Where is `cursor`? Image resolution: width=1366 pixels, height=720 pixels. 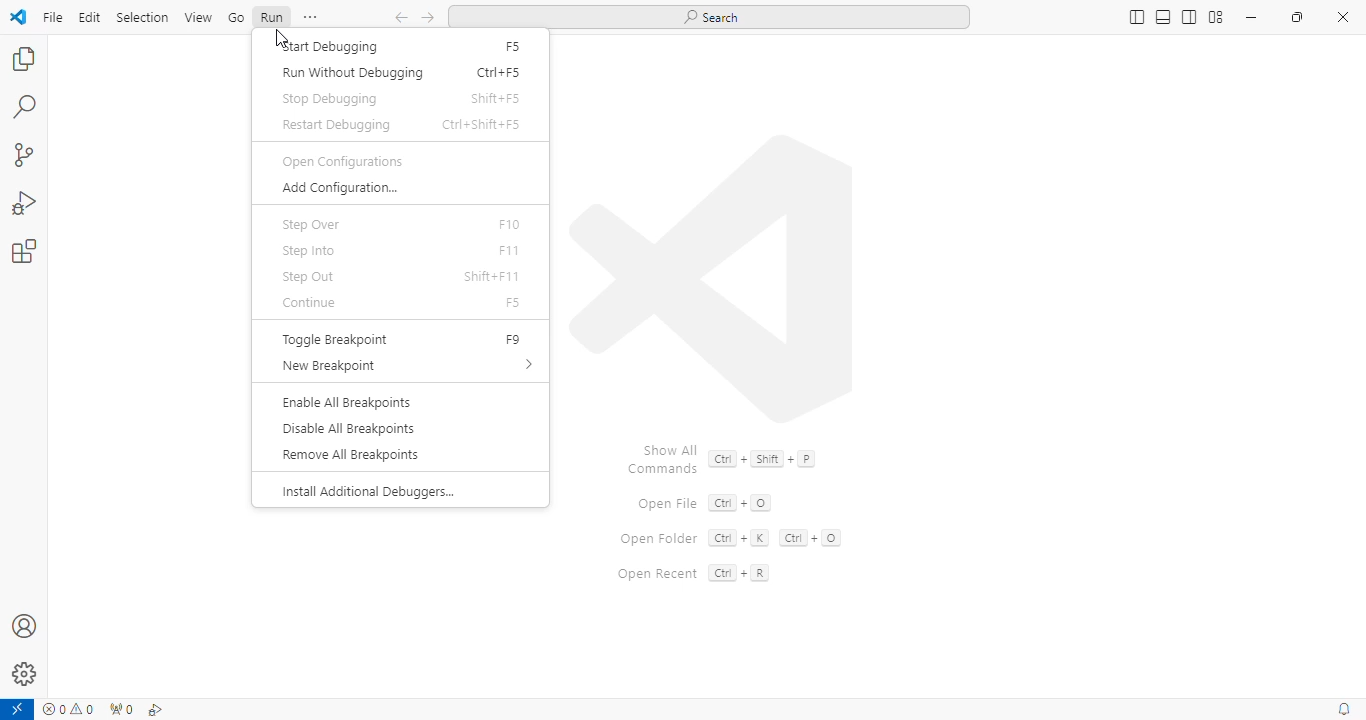
cursor is located at coordinates (279, 38).